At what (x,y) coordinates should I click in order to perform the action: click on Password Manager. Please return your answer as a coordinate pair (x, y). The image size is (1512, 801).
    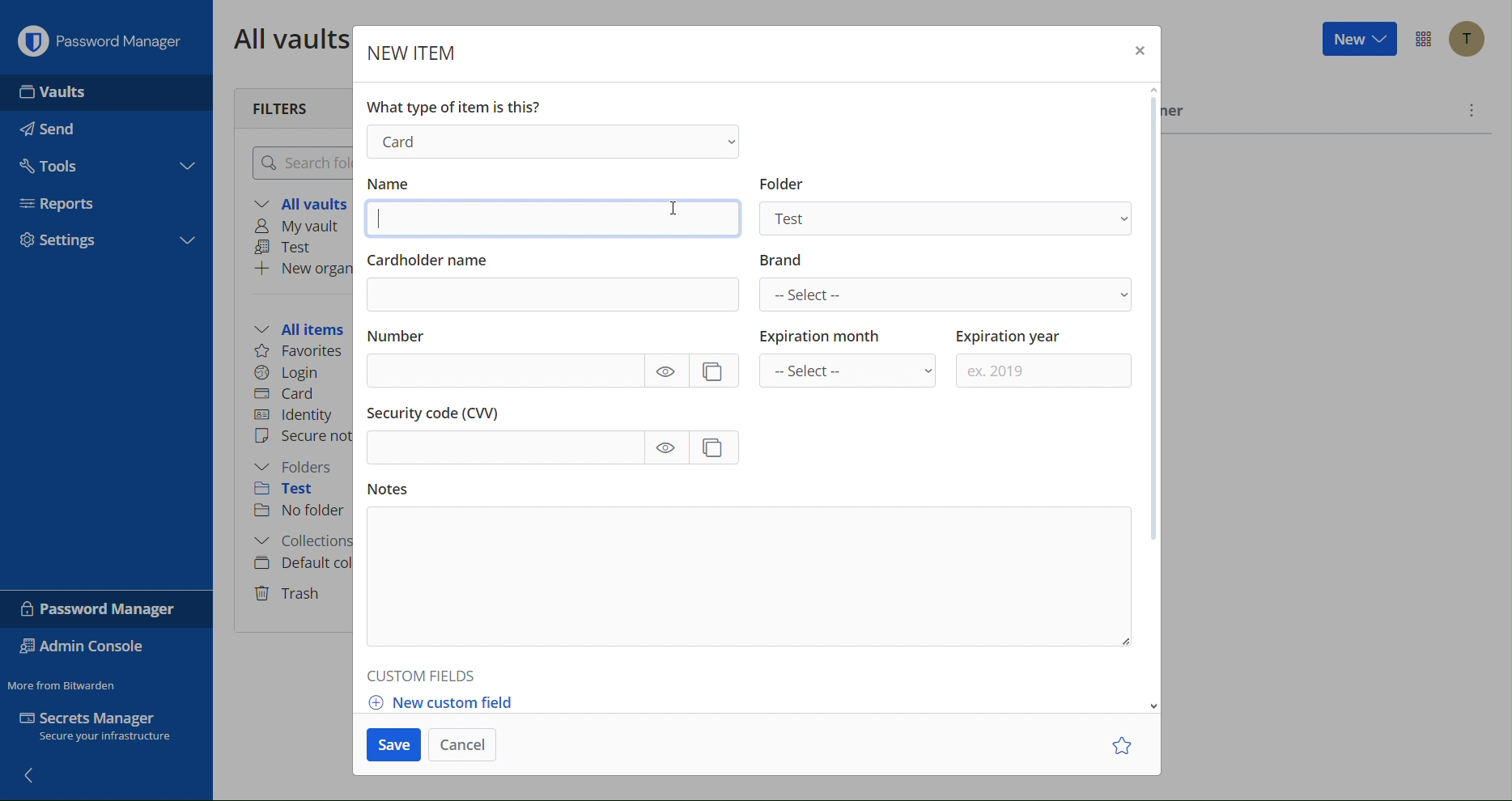
    Looking at the image, I should click on (110, 42).